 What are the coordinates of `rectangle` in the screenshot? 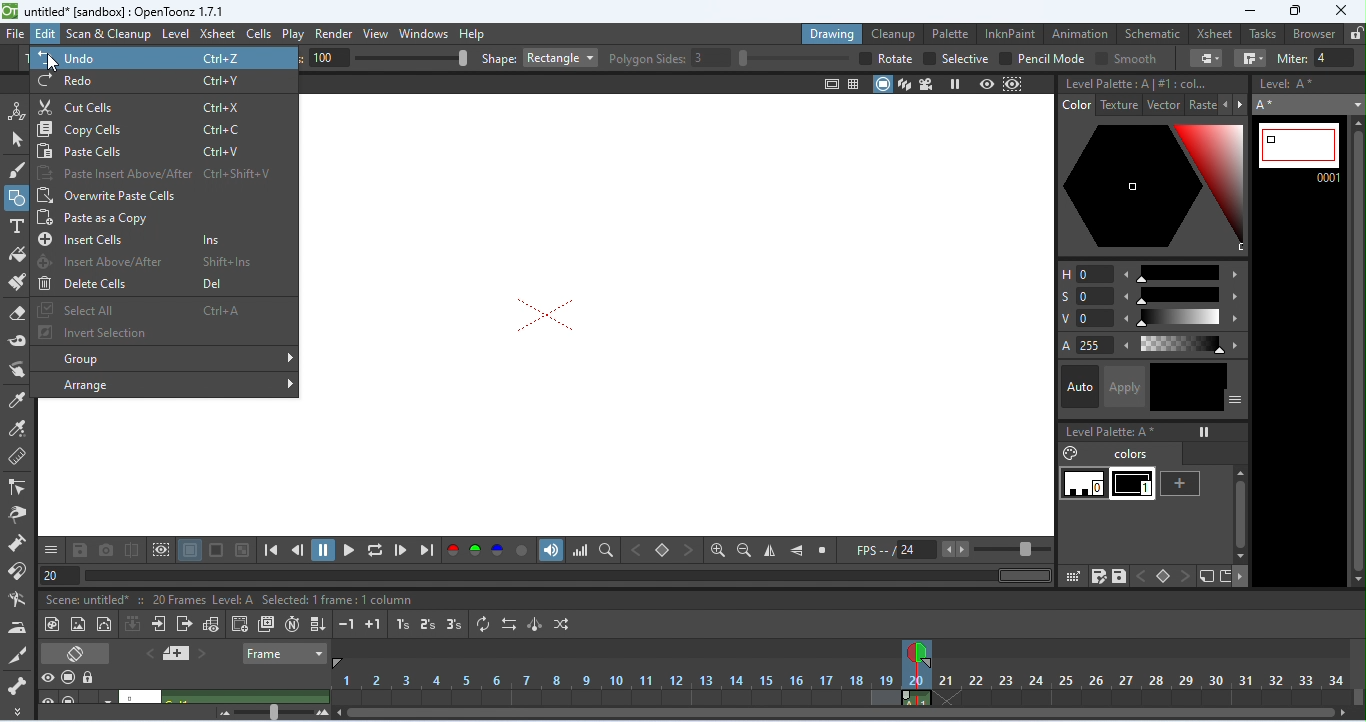 It's located at (562, 57).